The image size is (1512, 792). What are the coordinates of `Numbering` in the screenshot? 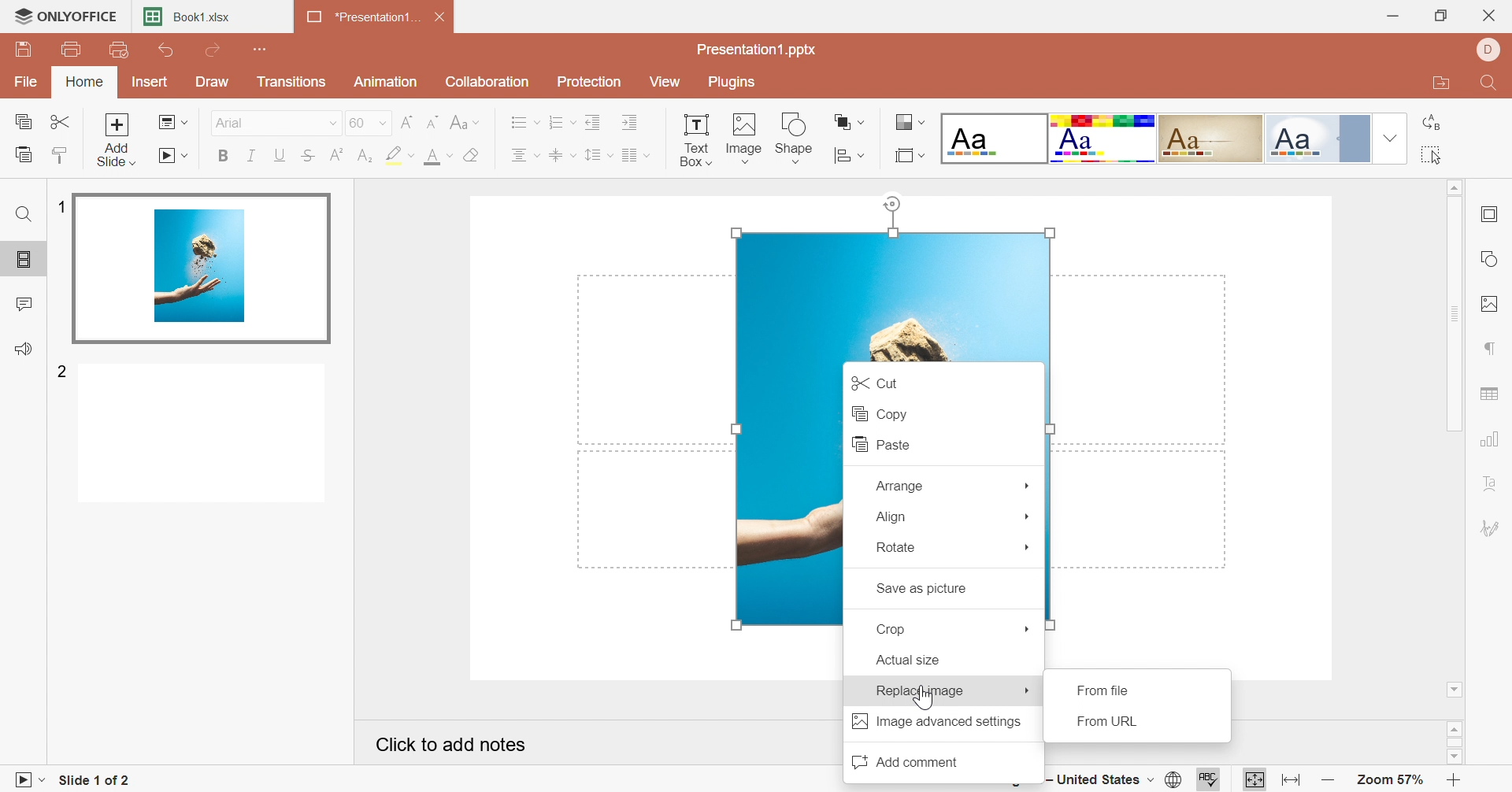 It's located at (562, 121).